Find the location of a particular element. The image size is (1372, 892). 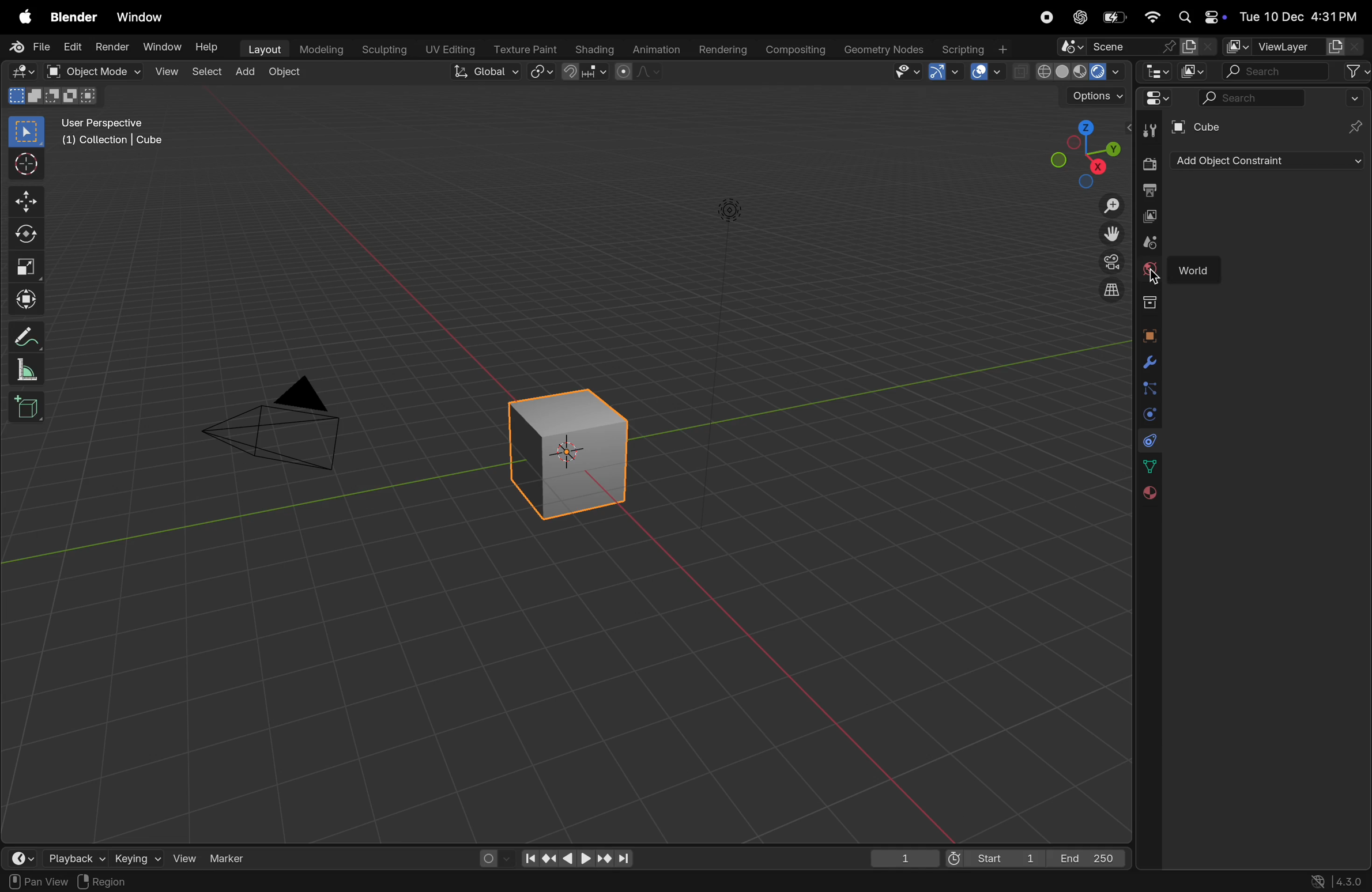

 is located at coordinates (1155, 278).